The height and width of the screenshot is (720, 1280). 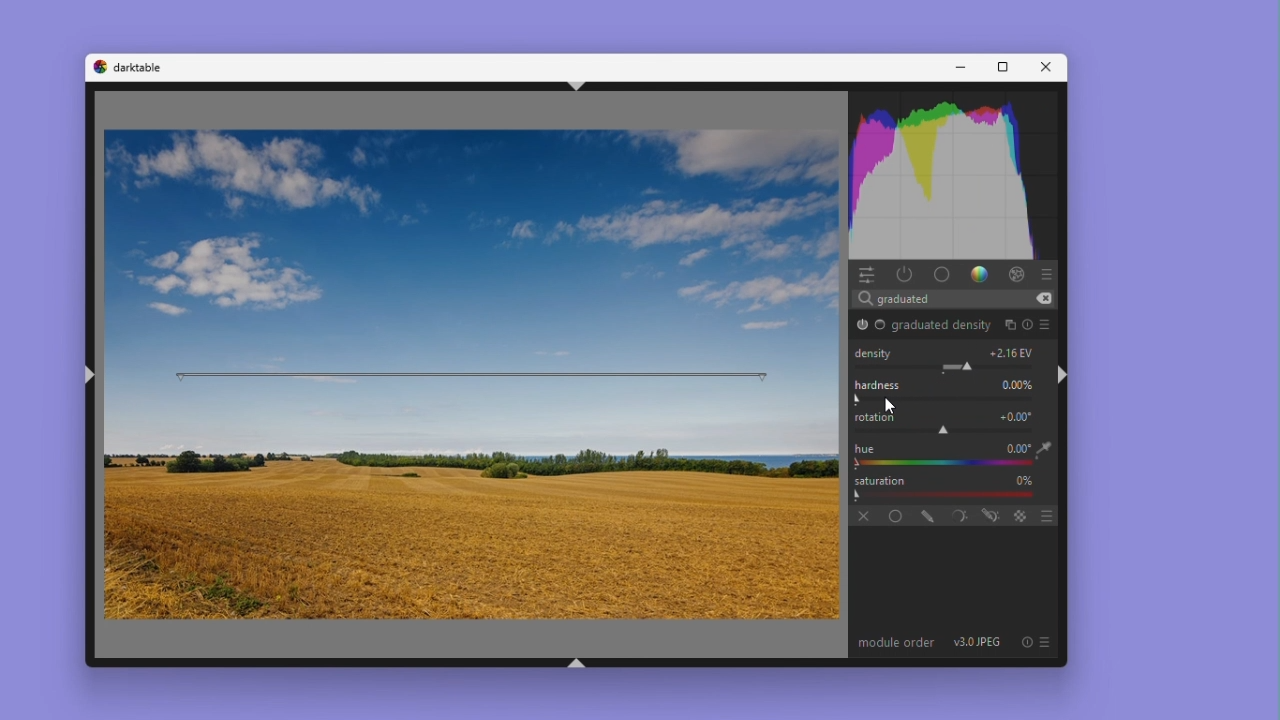 I want to click on preset, so click(x=1048, y=324).